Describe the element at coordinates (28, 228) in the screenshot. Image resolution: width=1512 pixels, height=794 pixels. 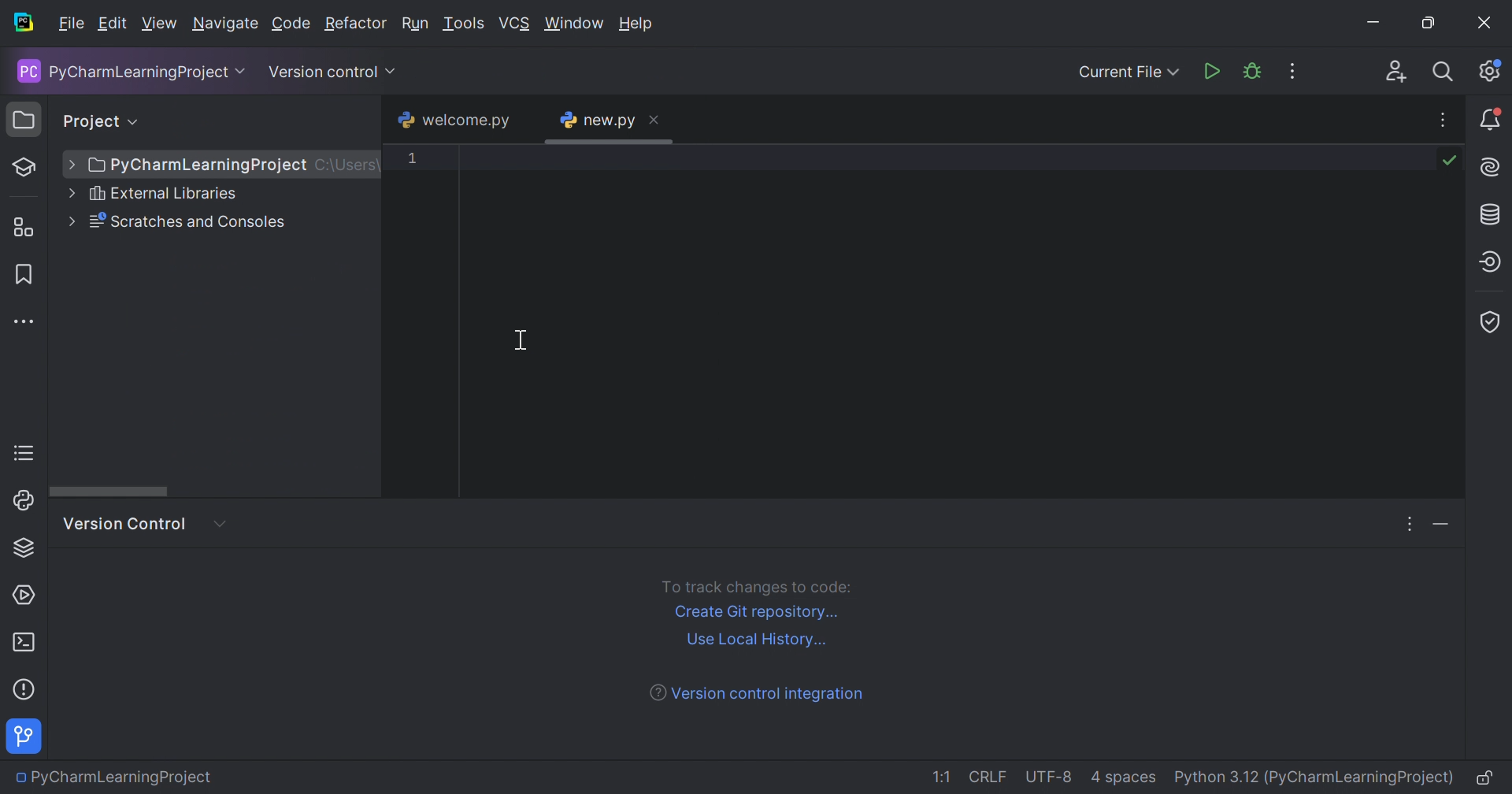
I see `Structure` at that location.